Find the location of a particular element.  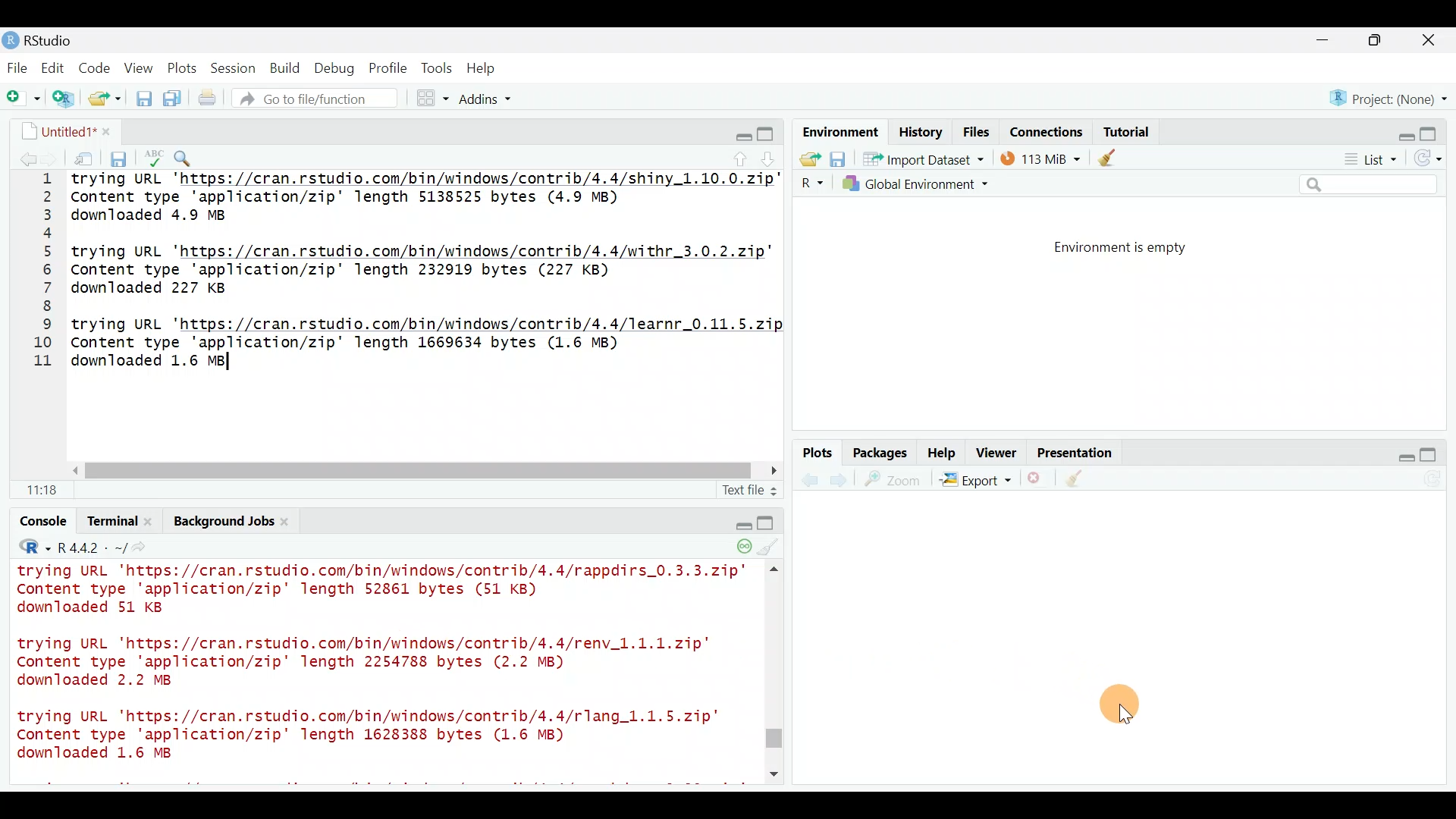

go to previous section/chunk is located at coordinates (742, 156).